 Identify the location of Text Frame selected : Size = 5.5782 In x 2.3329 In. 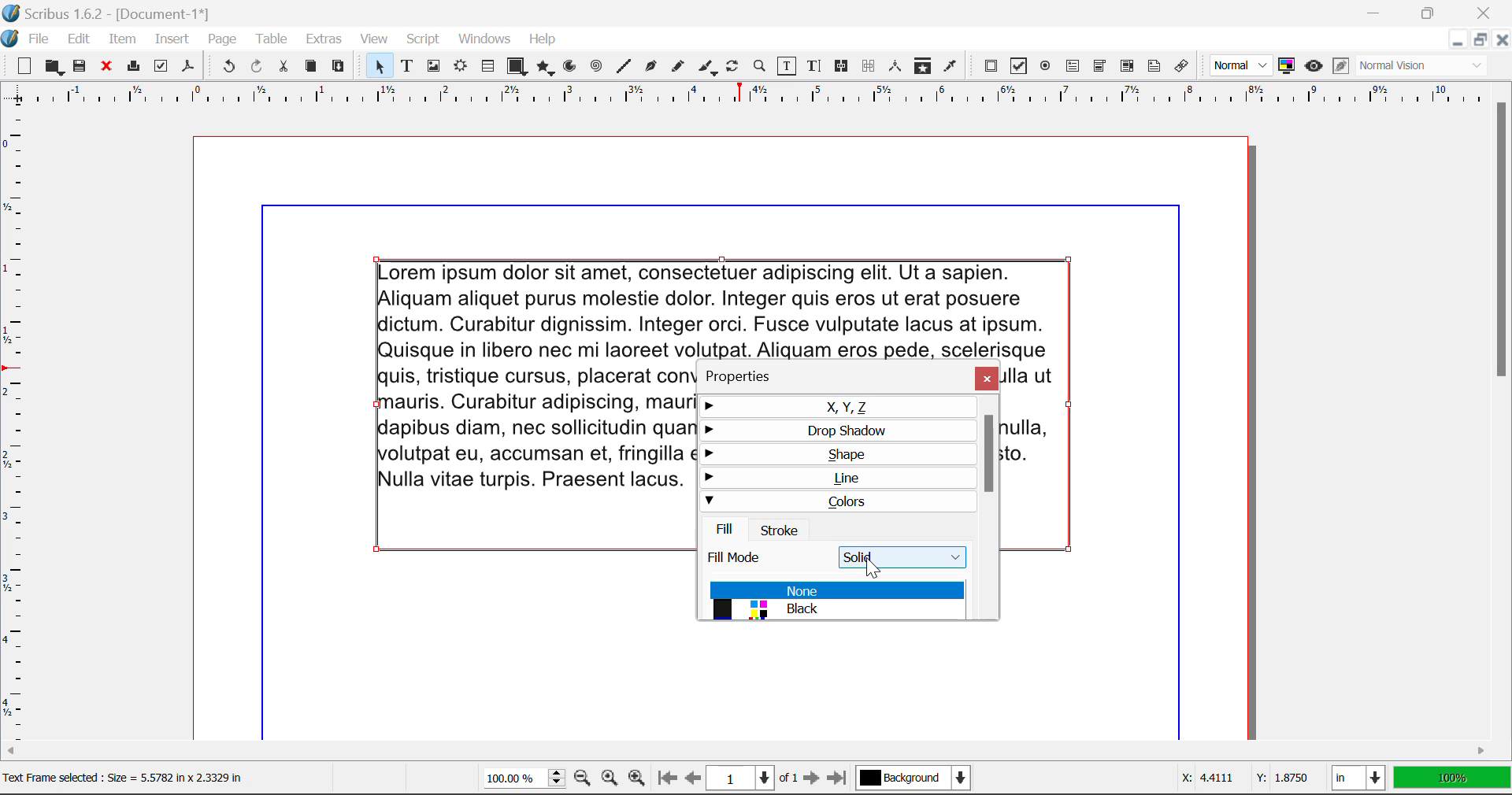
(132, 779).